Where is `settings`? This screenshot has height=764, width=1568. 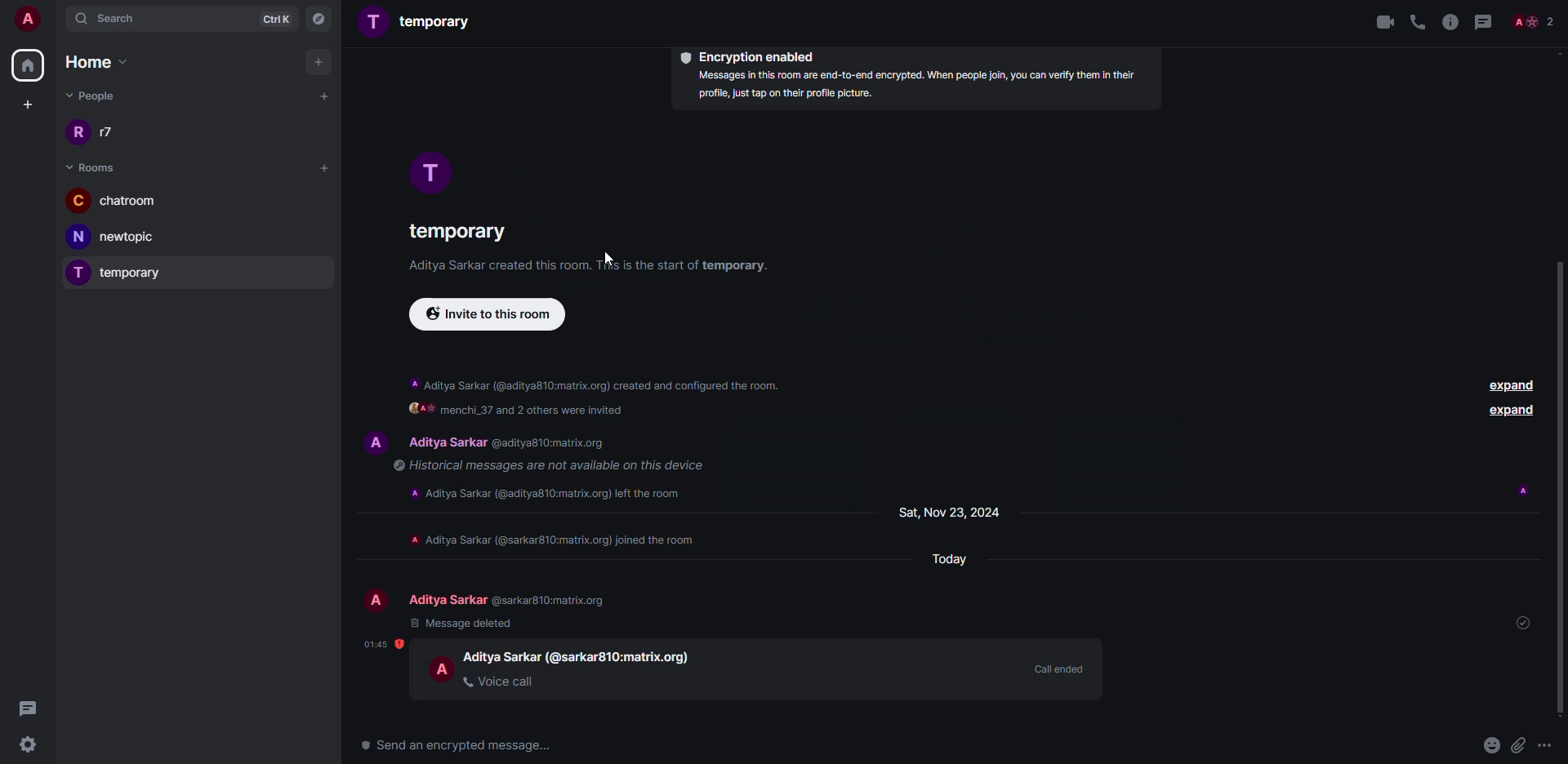 settings is located at coordinates (30, 746).